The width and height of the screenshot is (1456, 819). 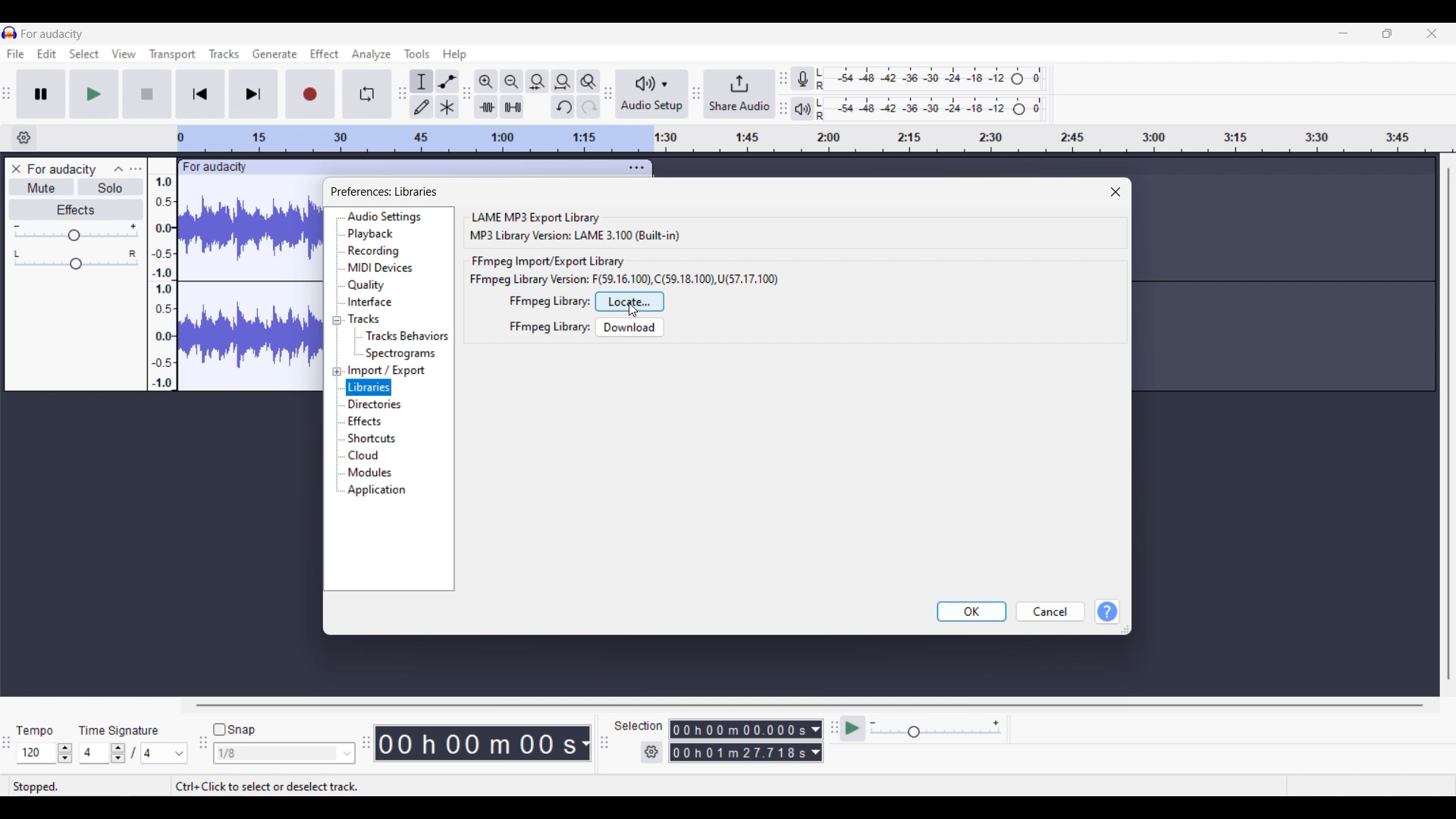 What do you see at coordinates (486, 82) in the screenshot?
I see `Zoom in` at bounding box center [486, 82].